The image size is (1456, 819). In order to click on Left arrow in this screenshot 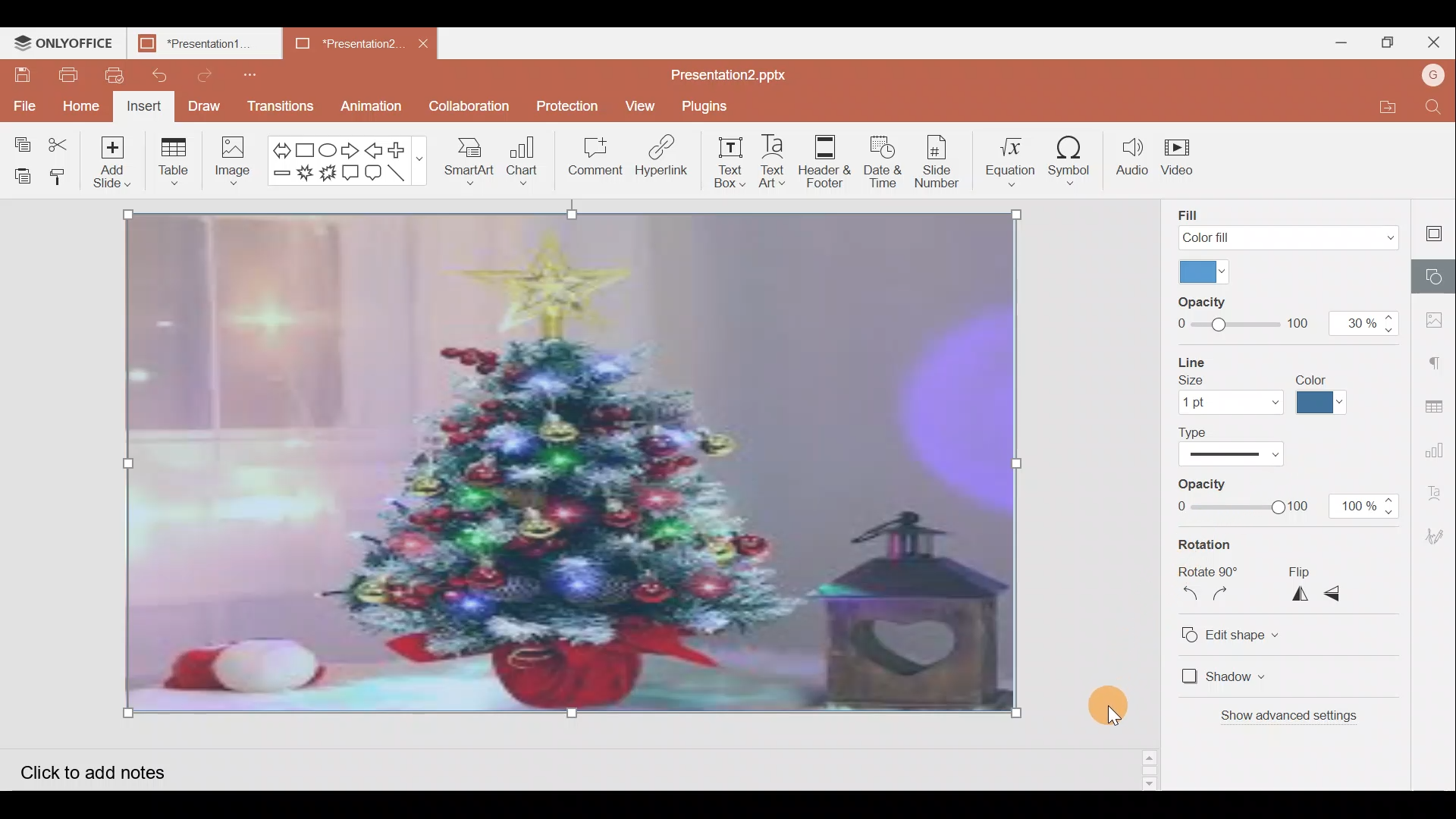, I will do `click(374, 149)`.